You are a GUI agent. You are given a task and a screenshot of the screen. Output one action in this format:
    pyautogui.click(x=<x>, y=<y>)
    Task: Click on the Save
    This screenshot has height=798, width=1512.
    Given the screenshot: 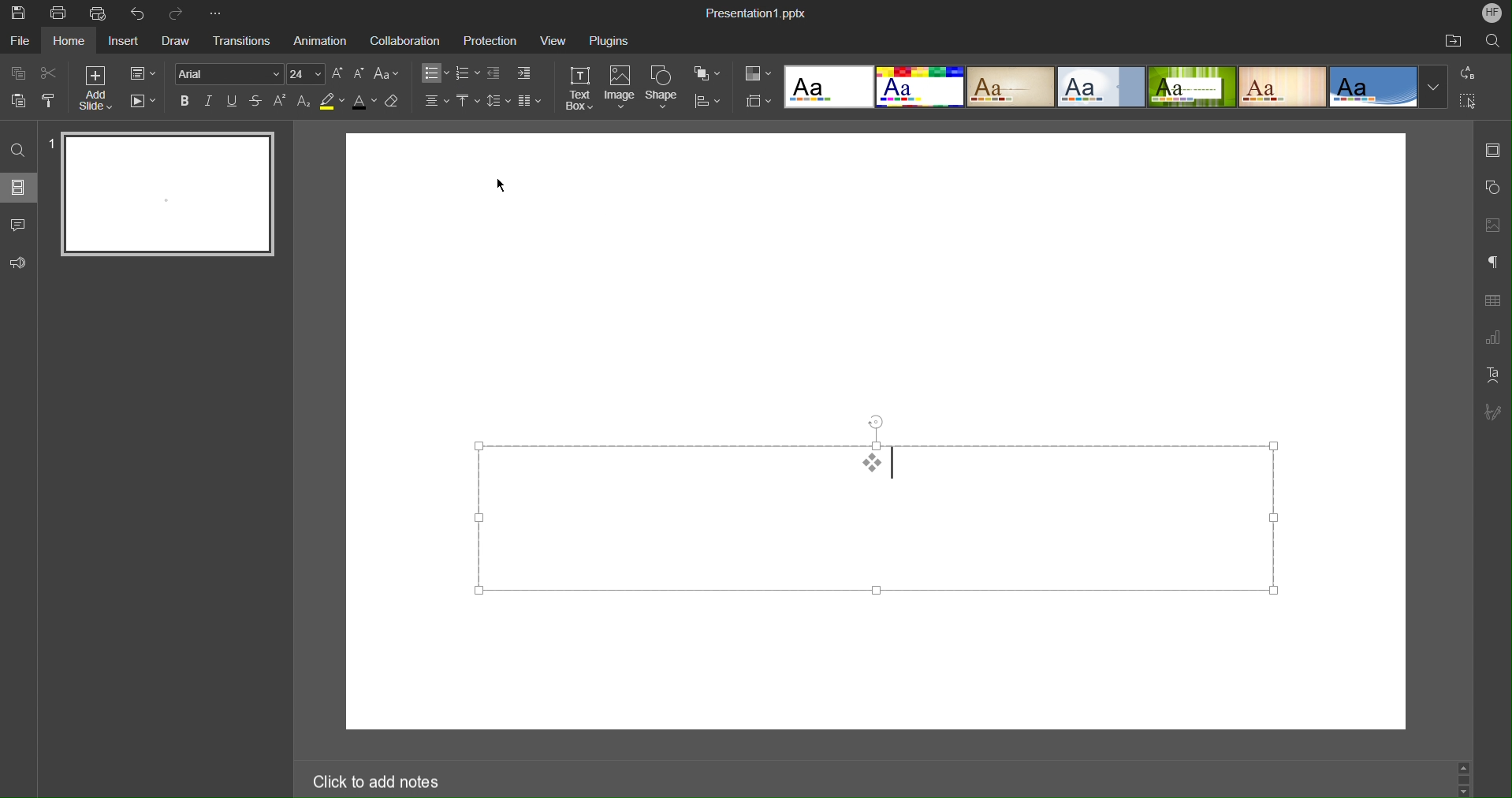 What is the action you would take?
    pyautogui.click(x=17, y=13)
    